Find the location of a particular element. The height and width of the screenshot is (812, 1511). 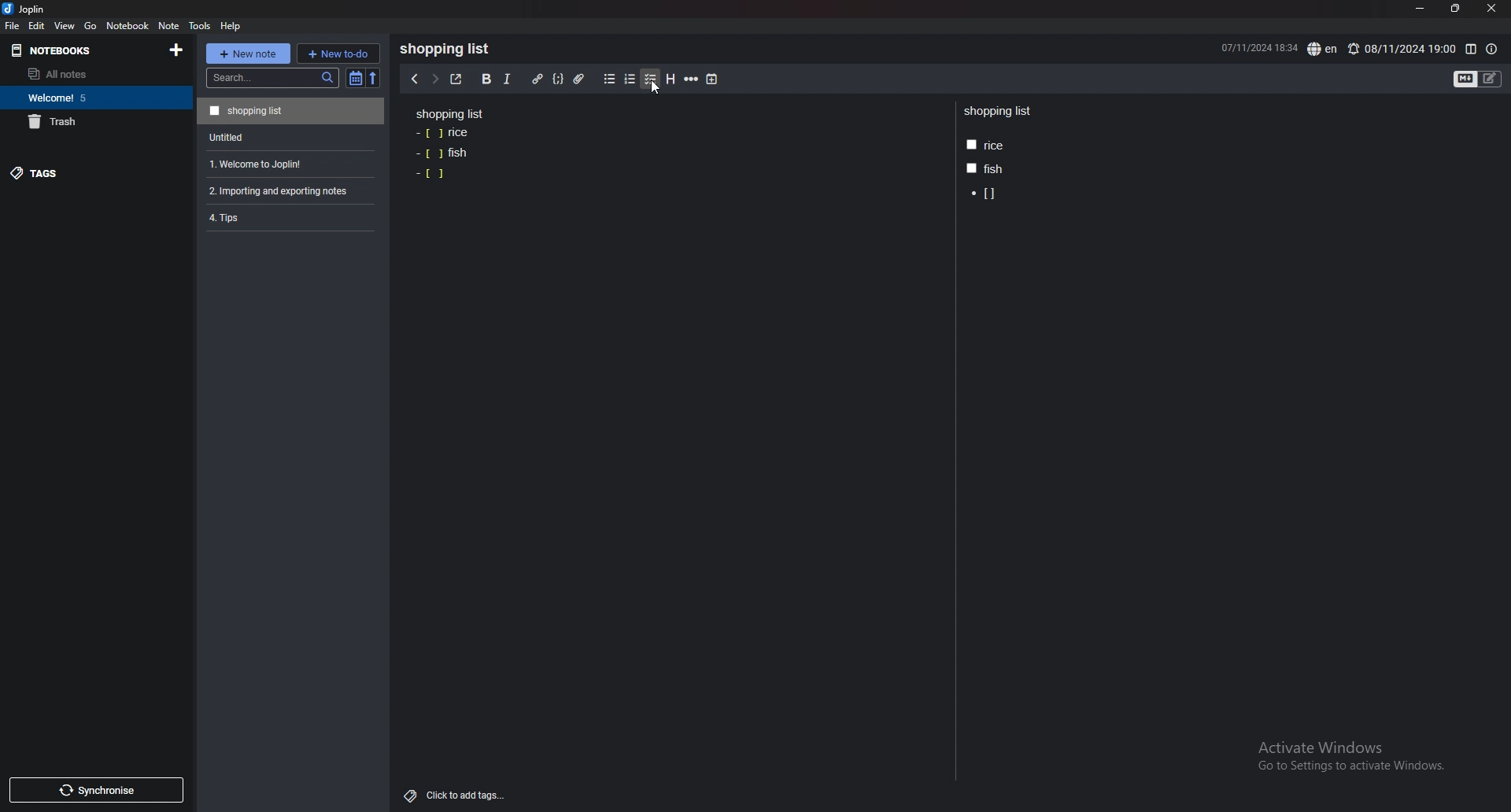

next is located at coordinates (434, 78).